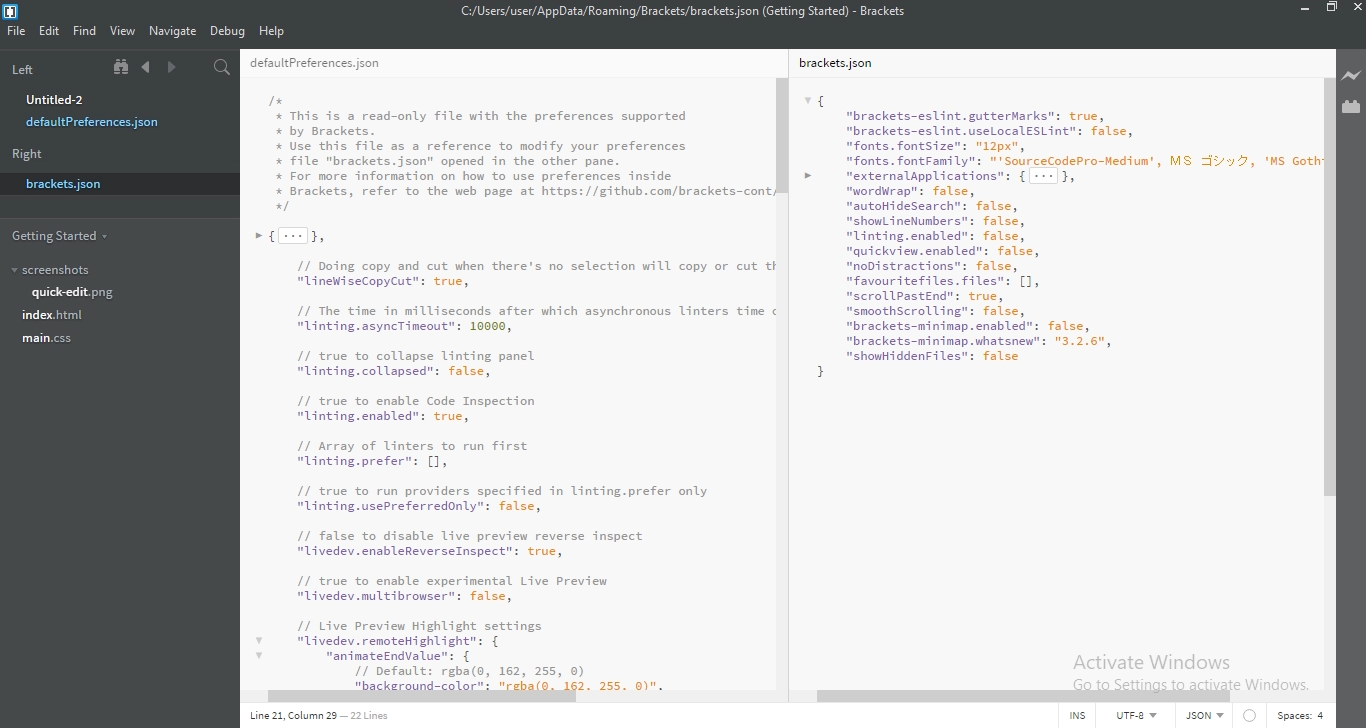 The height and width of the screenshot is (728, 1366). I want to click on UTF-8, so click(1143, 716).